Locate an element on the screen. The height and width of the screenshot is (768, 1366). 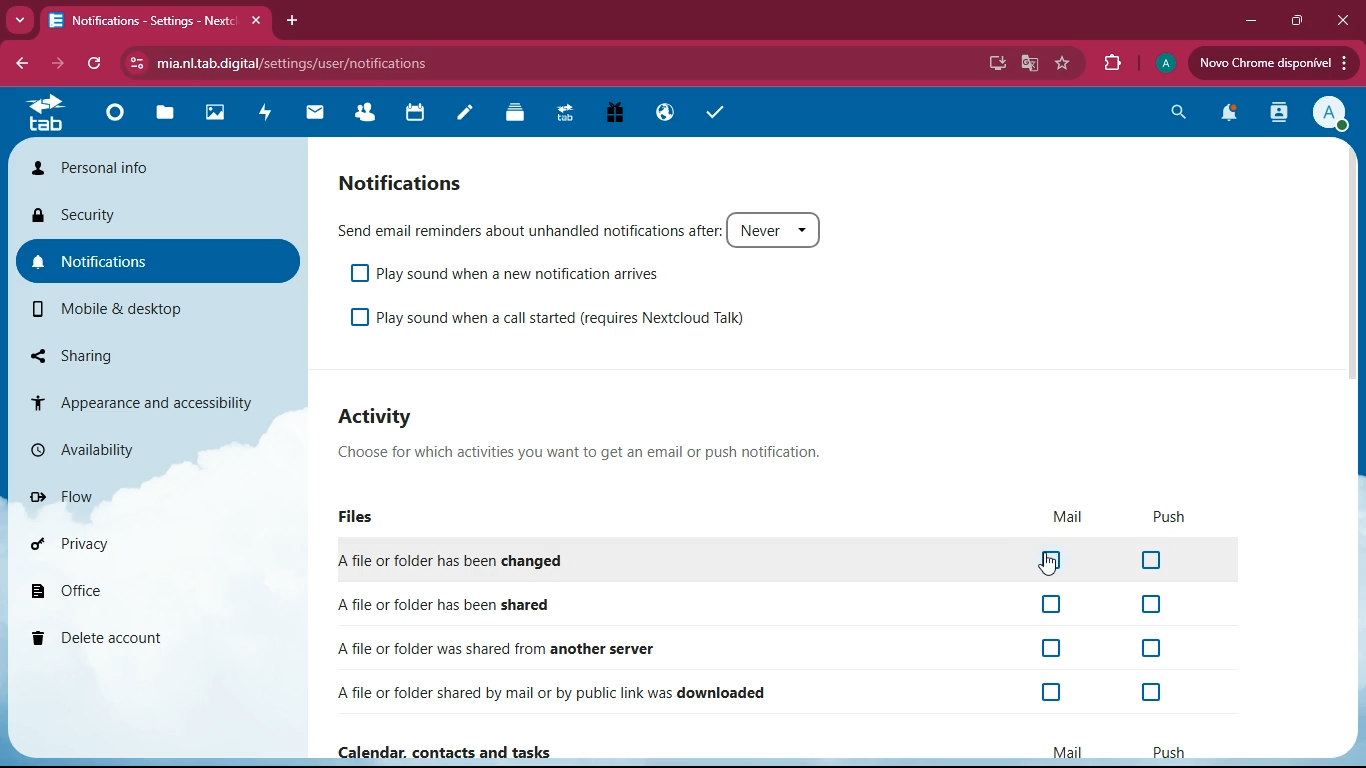
maximize is located at coordinates (1299, 21).